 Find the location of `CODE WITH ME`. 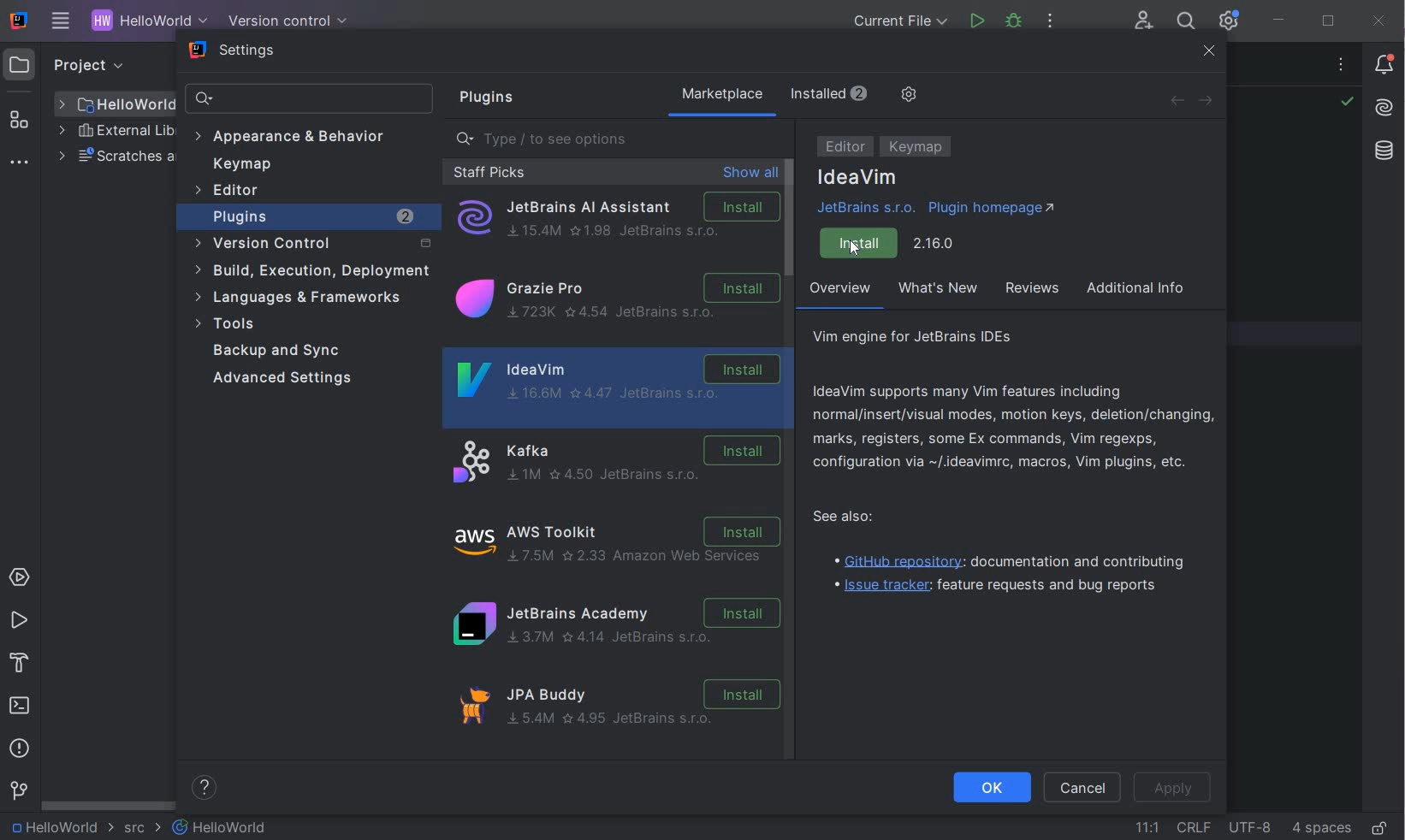

CODE WITH ME is located at coordinates (1145, 21).